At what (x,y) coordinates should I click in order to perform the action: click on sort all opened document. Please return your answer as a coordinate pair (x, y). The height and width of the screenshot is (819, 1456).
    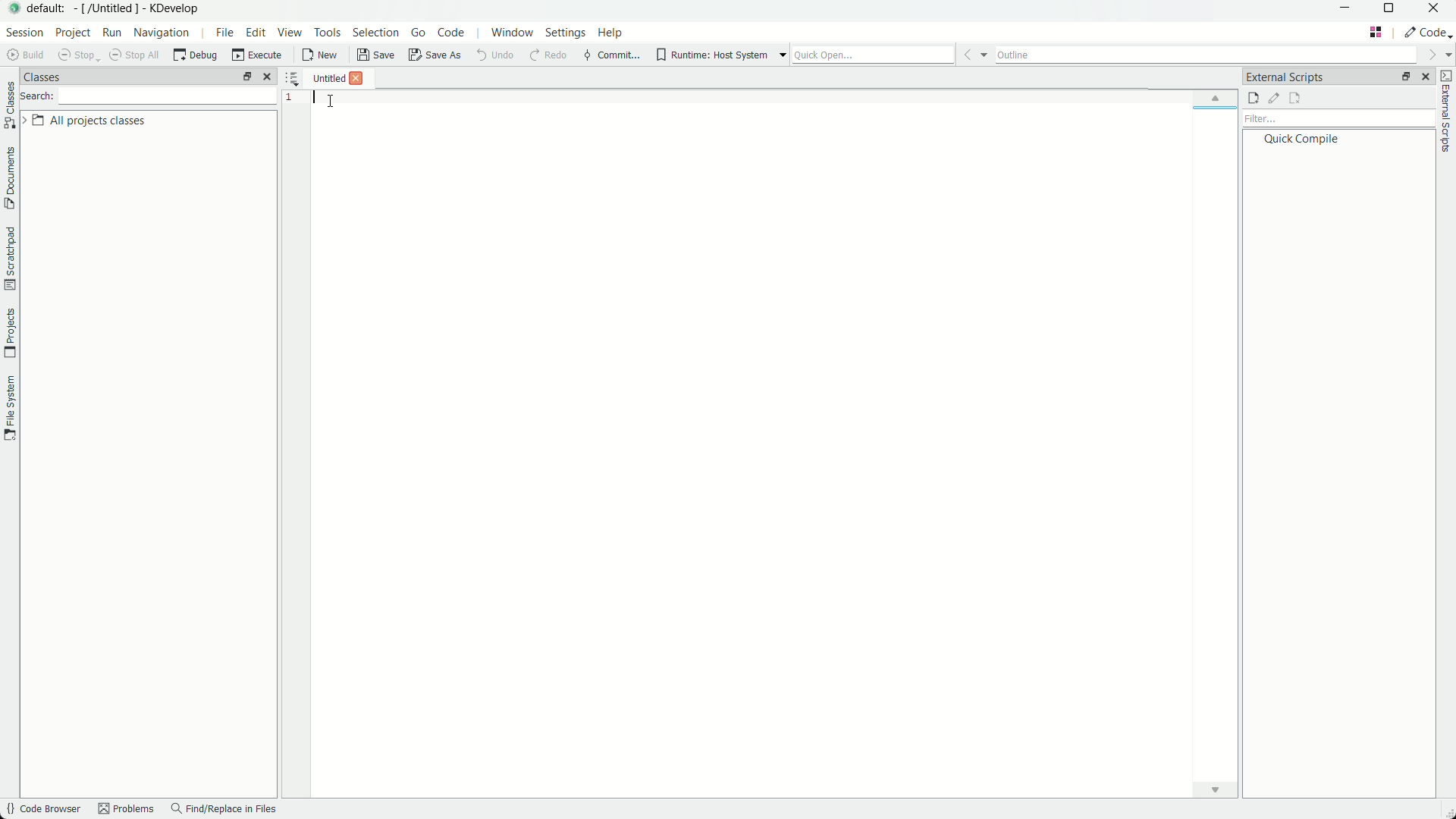
    Looking at the image, I should click on (293, 77).